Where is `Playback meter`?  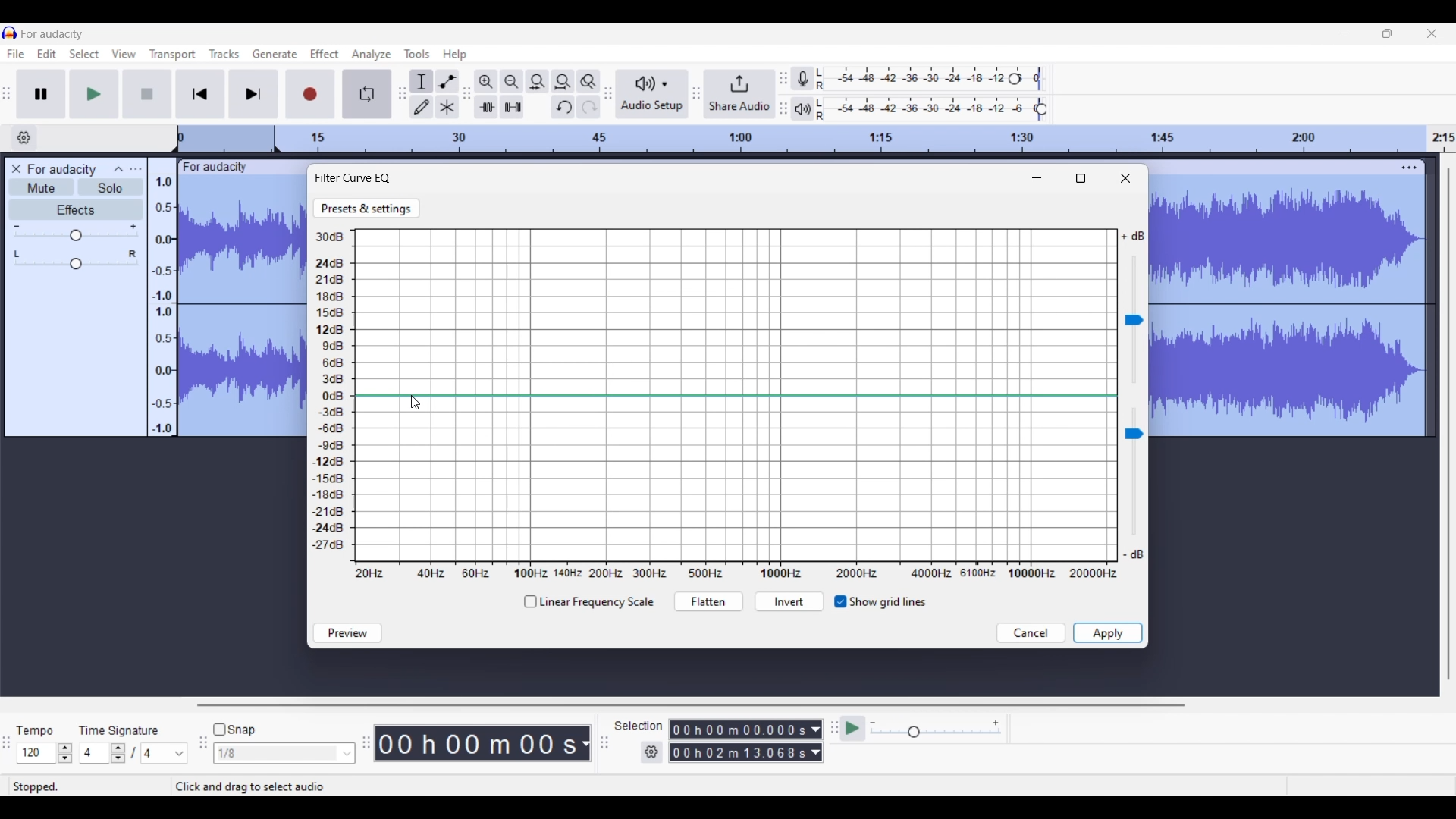 Playback meter is located at coordinates (803, 109).